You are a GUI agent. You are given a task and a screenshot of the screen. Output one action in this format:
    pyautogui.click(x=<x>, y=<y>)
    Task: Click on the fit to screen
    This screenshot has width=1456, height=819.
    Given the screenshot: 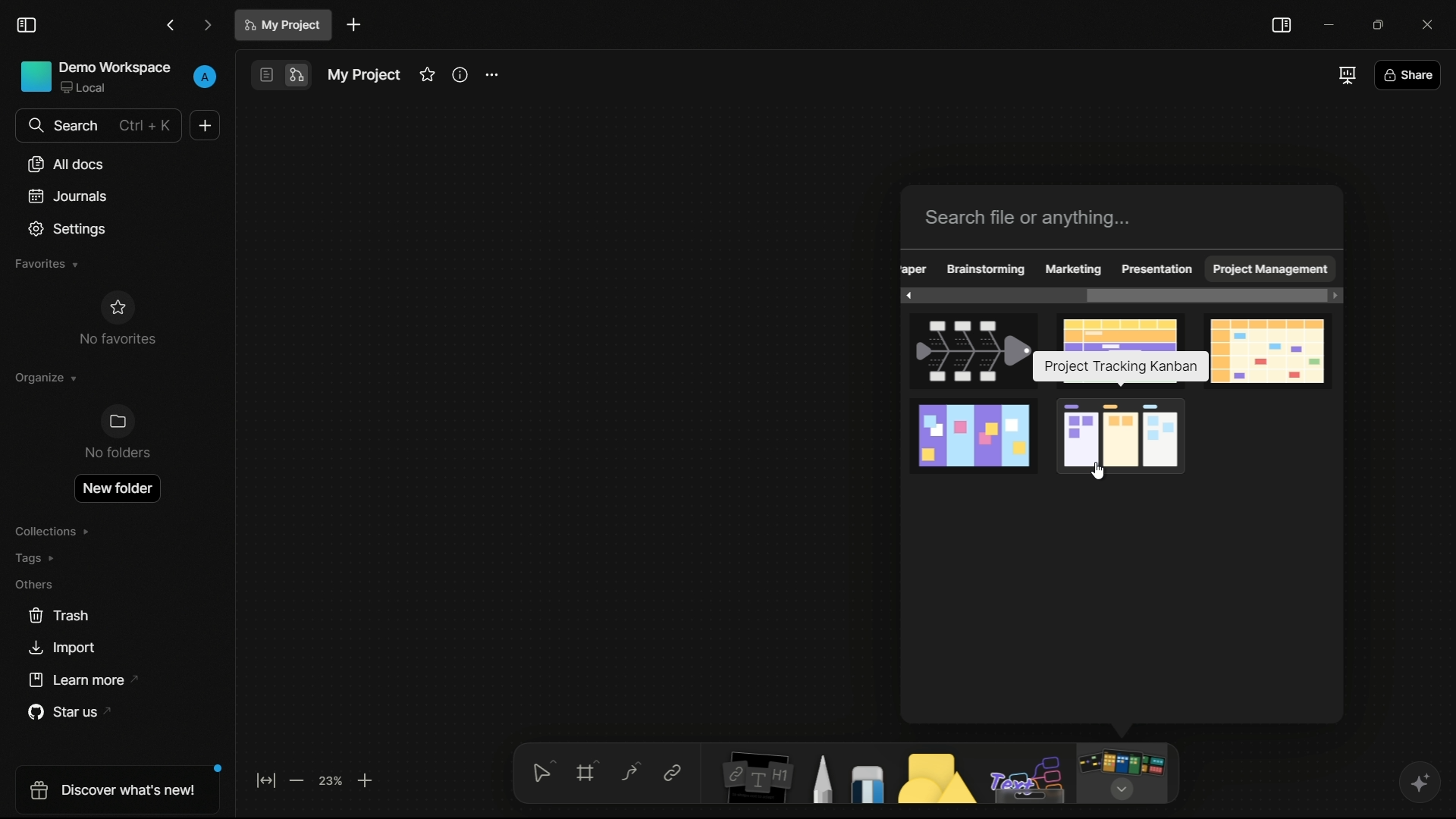 What is the action you would take?
    pyautogui.click(x=265, y=780)
    